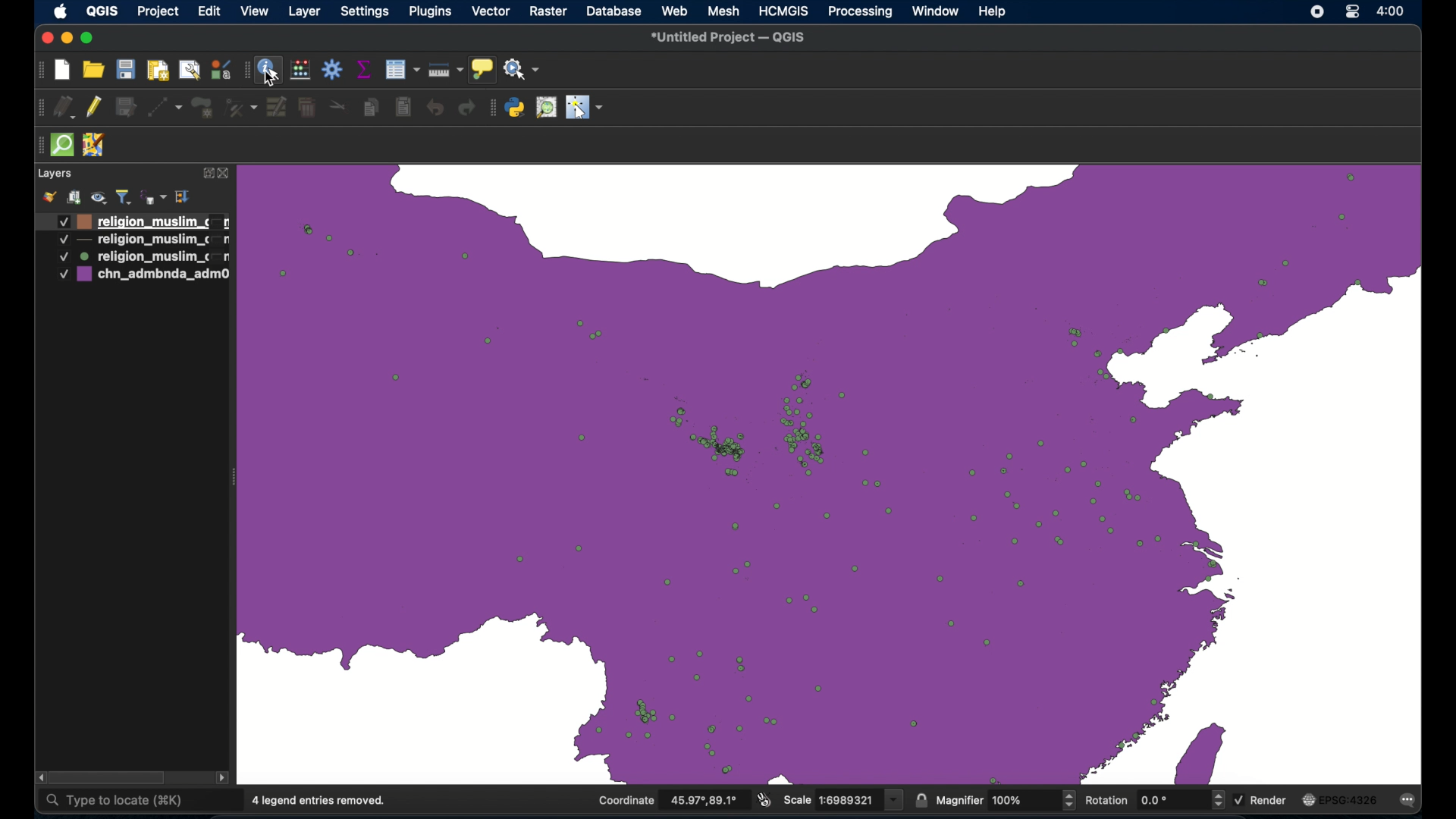 This screenshot has height=819, width=1456. Describe the element at coordinates (256, 11) in the screenshot. I see `view` at that location.